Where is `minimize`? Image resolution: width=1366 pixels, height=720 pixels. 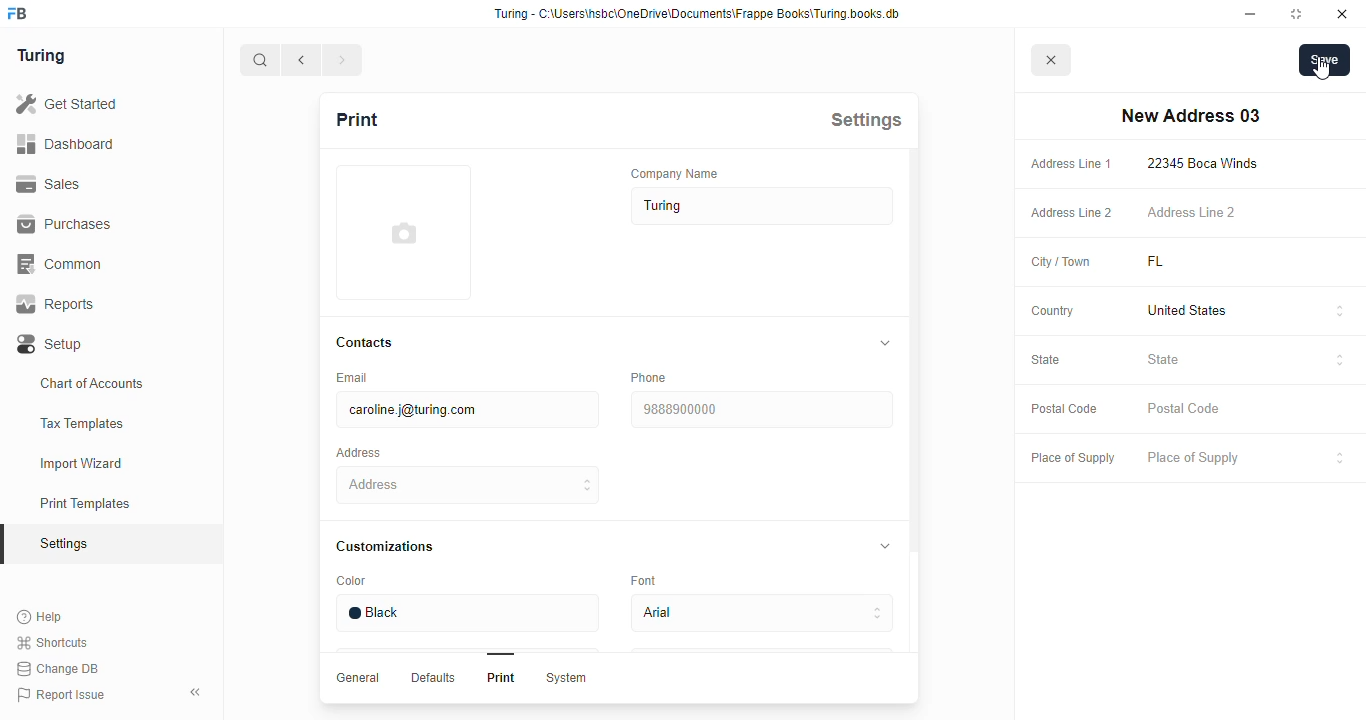
minimize is located at coordinates (1251, 14).